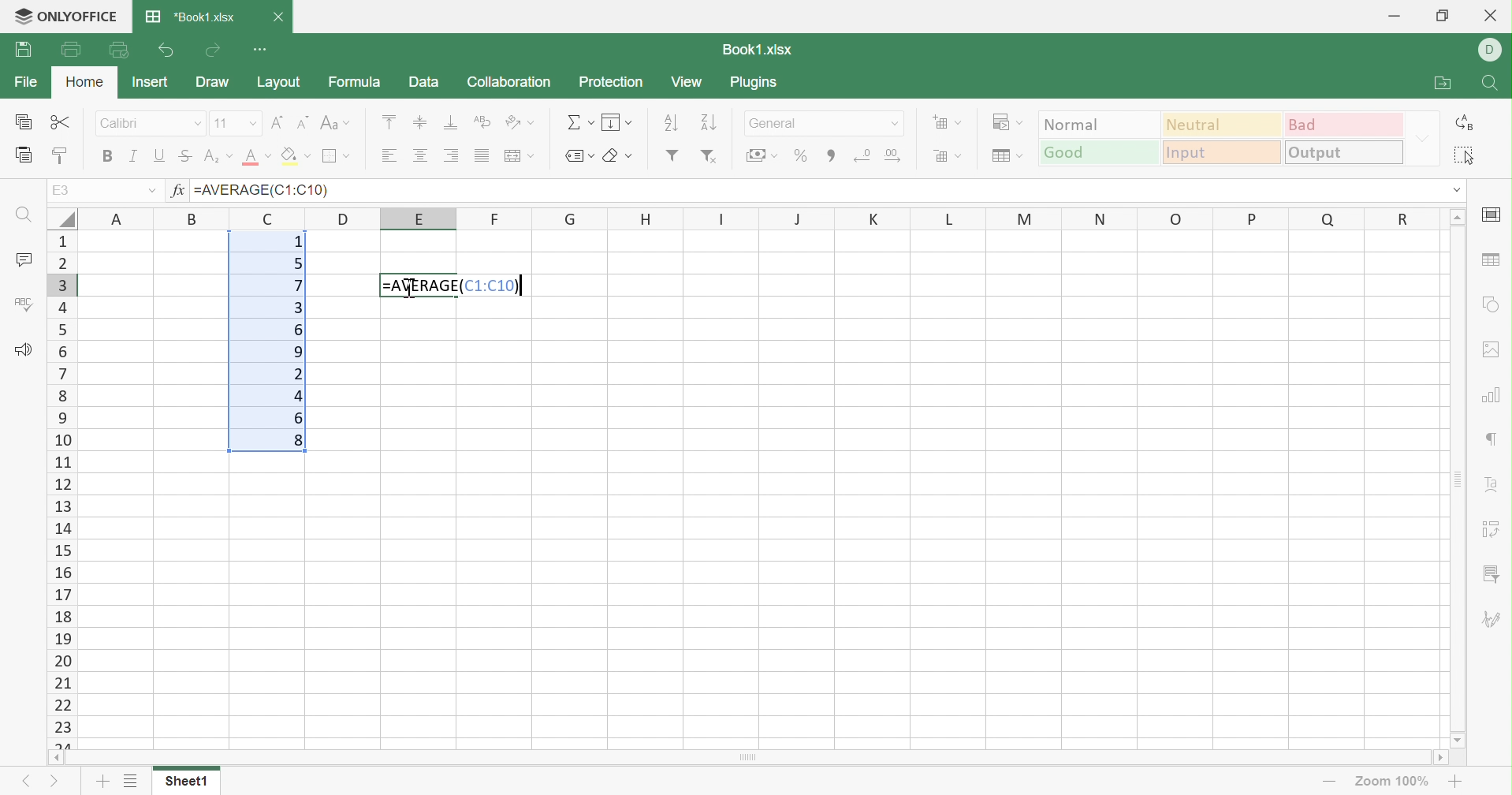 This screenshot has width=1512, height=795. I want to click on Drop Down, so click(1423, 141).